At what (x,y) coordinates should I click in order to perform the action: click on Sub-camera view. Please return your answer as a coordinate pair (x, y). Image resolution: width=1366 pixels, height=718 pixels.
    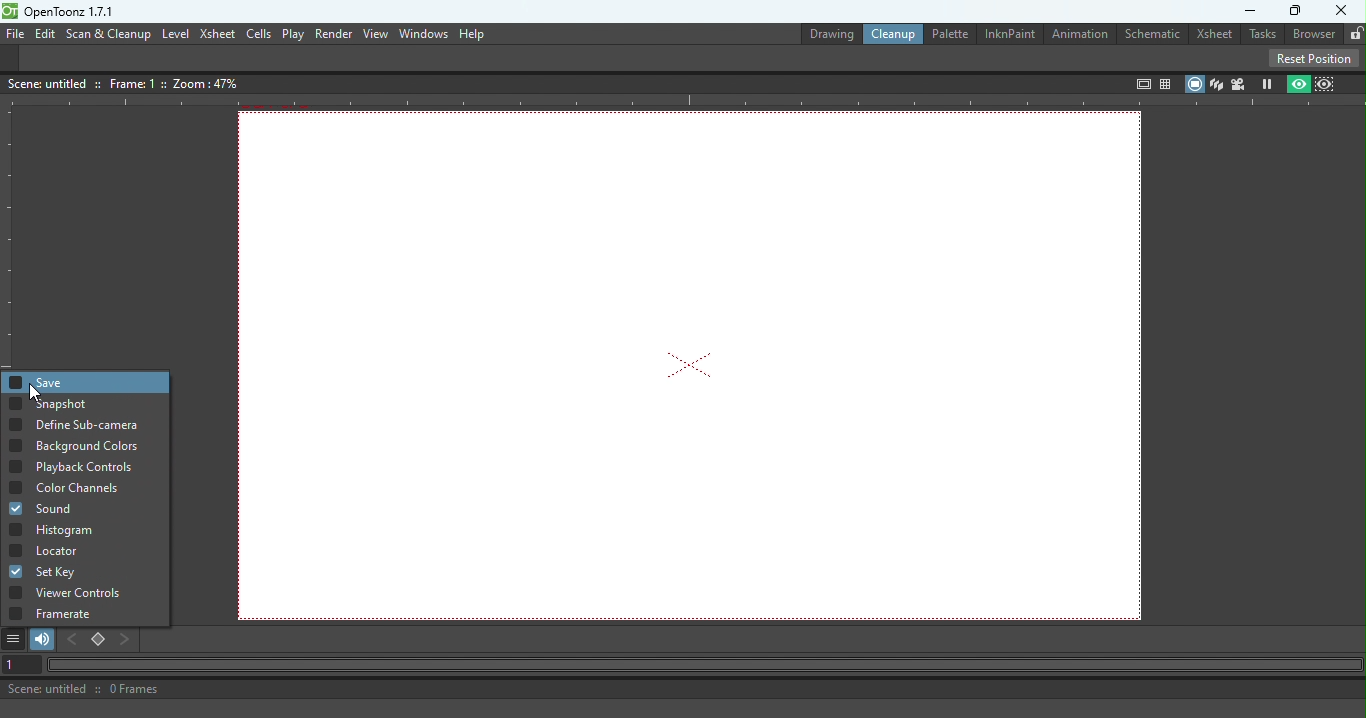
    Looking at the image, I should click on (1328, 82).